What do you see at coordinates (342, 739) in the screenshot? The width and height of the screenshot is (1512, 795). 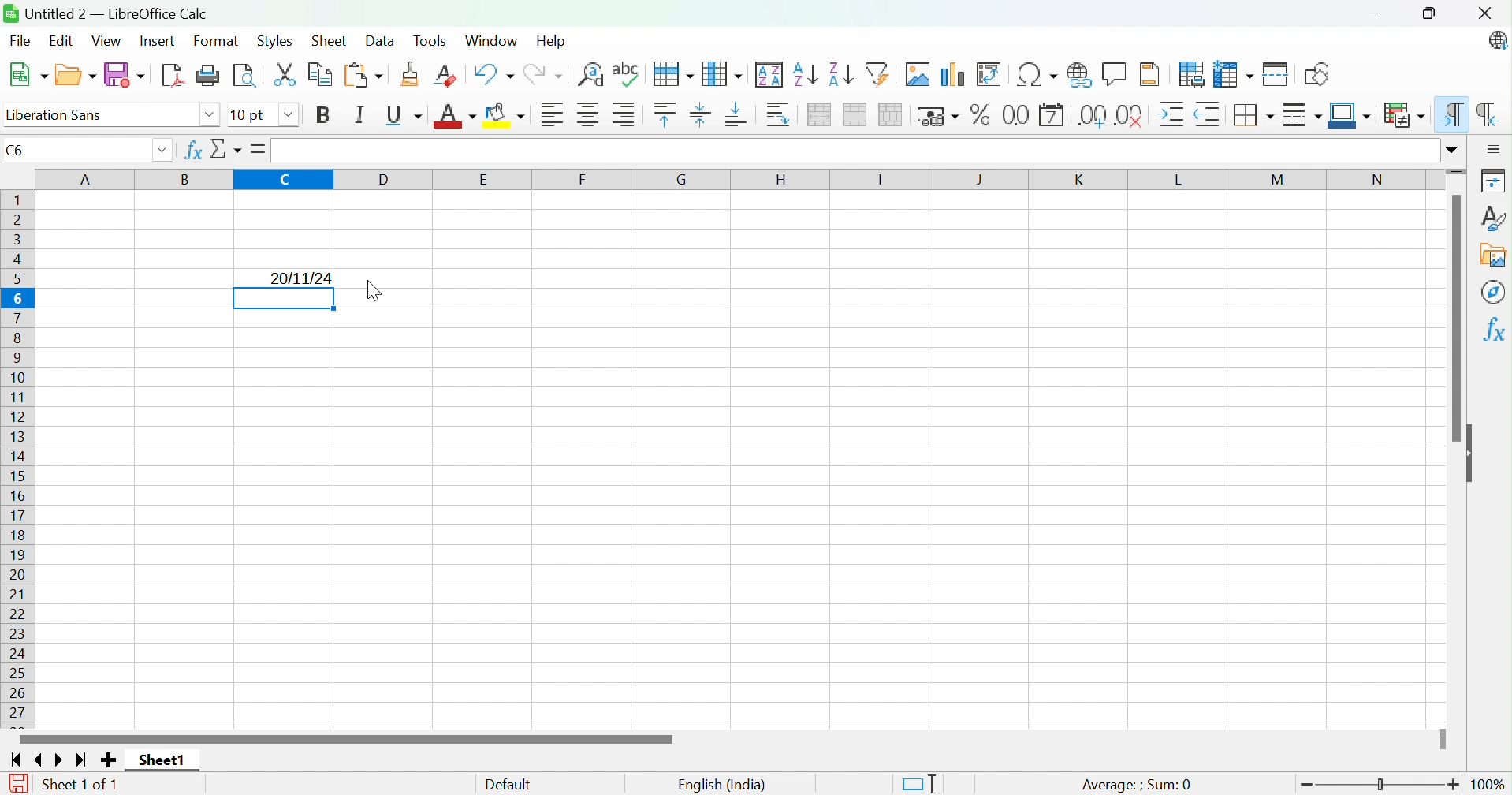 I see `Scroll bar` at bounding box center [342, 739].